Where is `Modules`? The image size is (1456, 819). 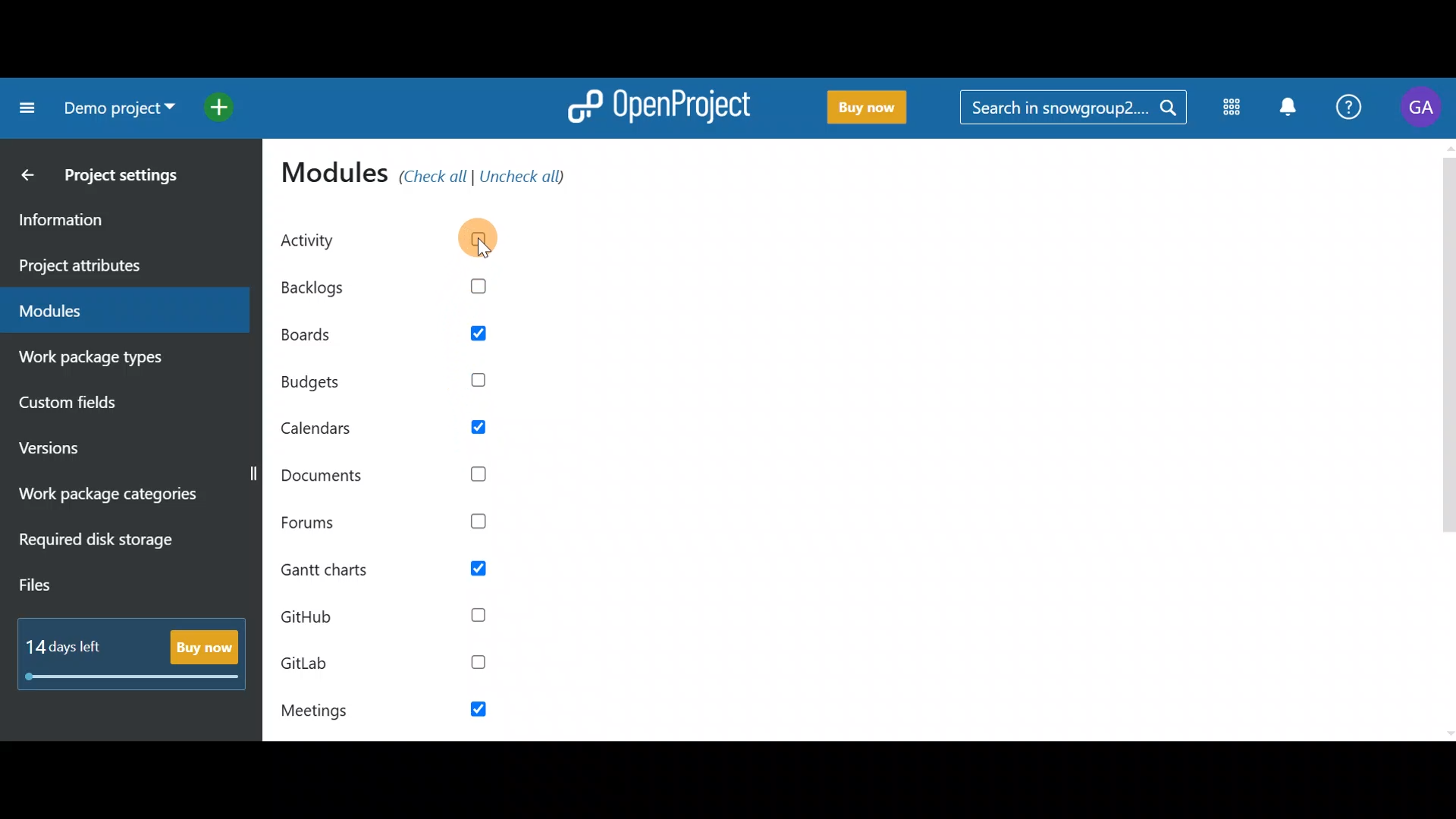
Modules is located at coordinates (119, 306).